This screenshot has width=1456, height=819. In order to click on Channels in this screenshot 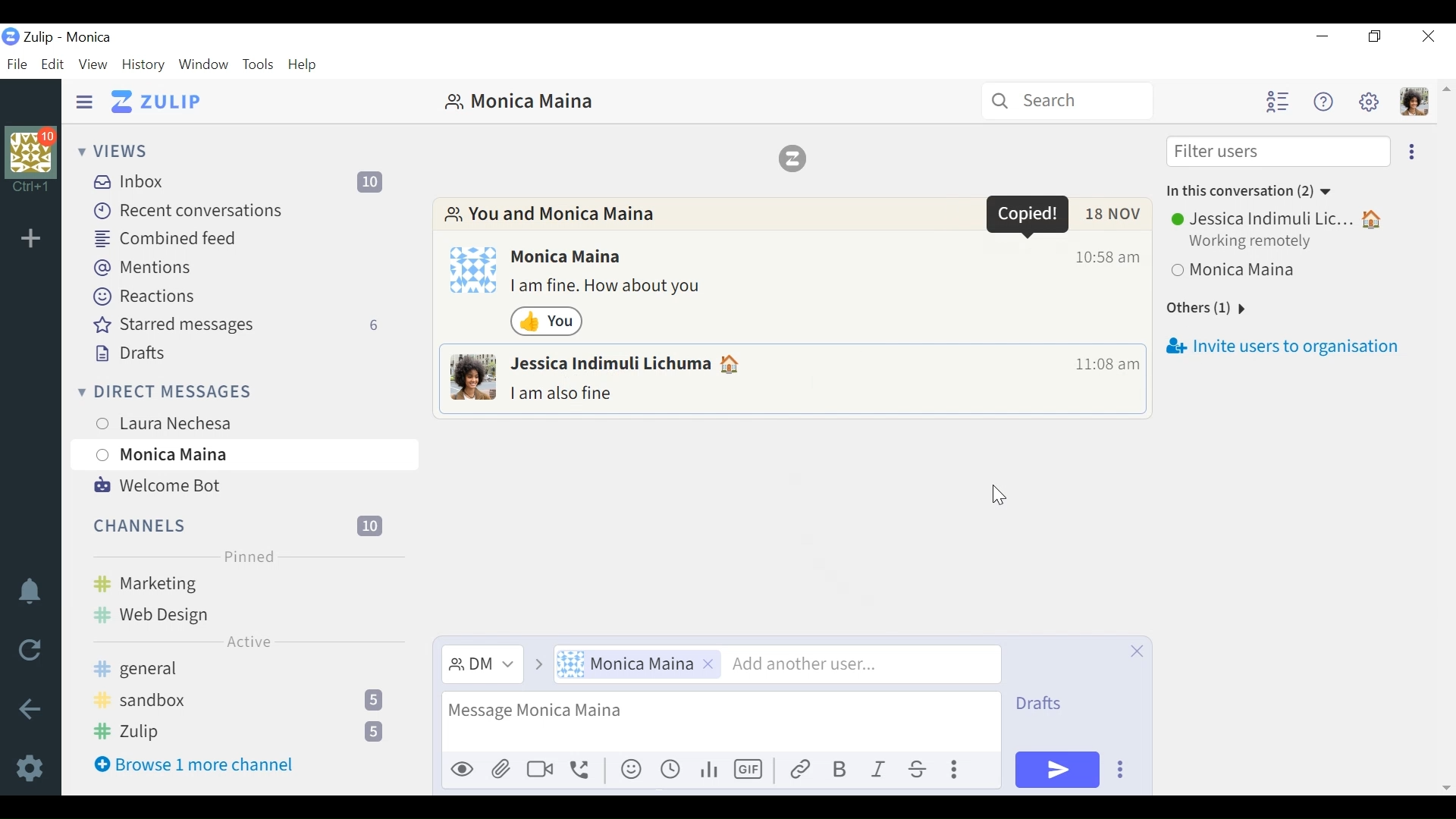, I will do `click(240, 524)`.